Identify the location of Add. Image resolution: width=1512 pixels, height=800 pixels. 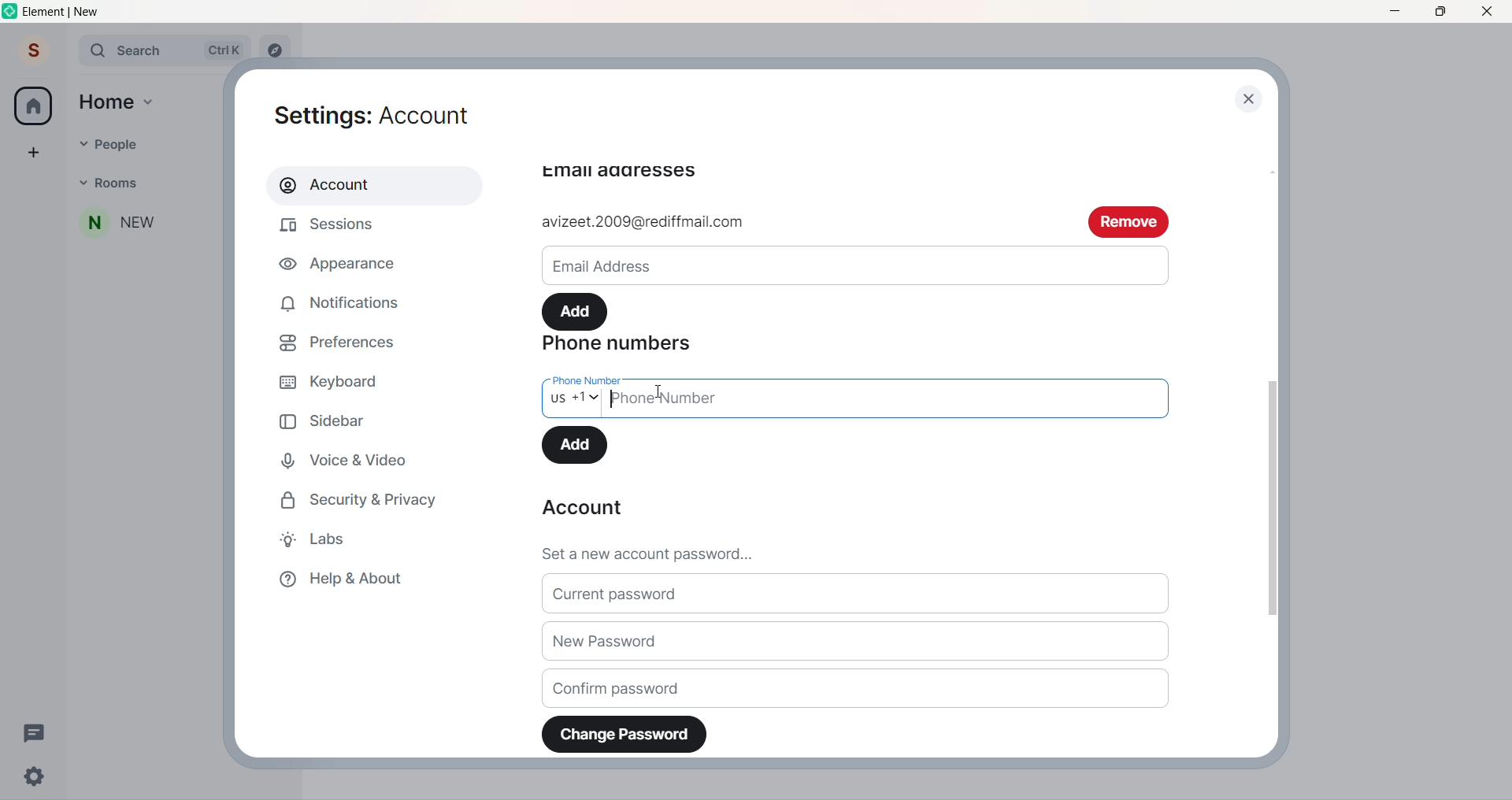
(577, 309).